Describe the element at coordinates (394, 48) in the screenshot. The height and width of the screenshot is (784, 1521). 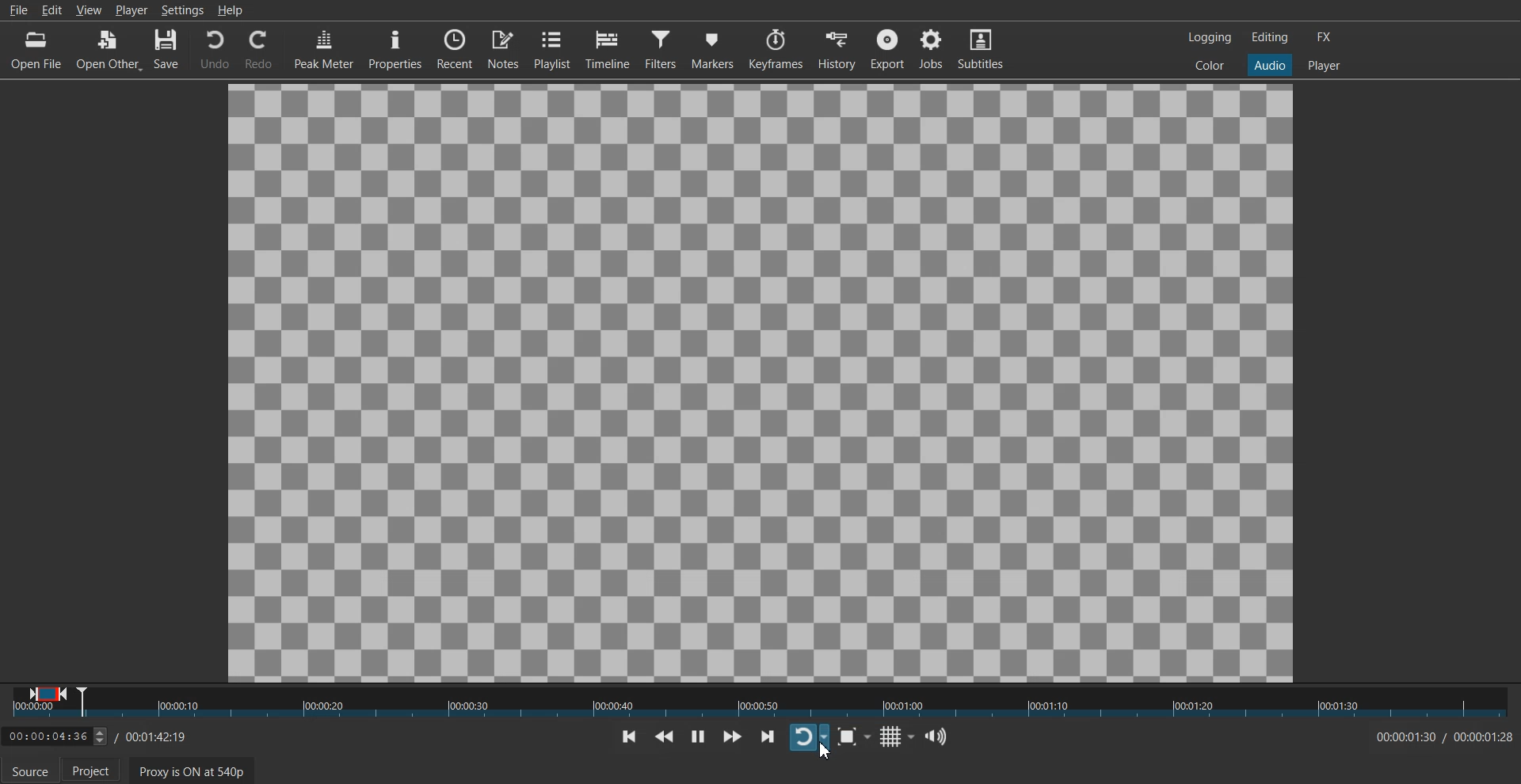
I see `Properties` at that location.